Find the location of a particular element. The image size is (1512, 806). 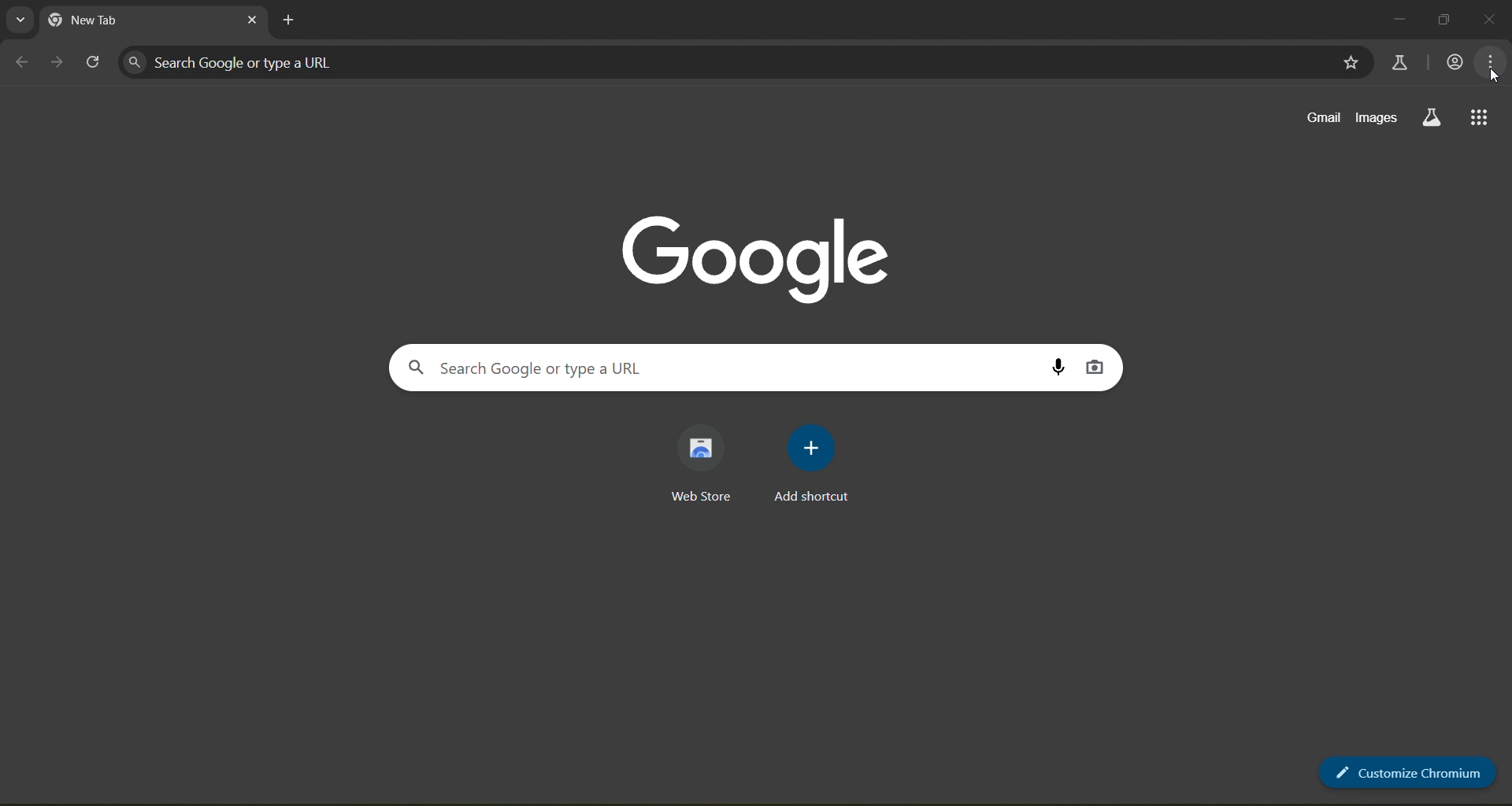

voice search is located at coordinates (1058, 366).